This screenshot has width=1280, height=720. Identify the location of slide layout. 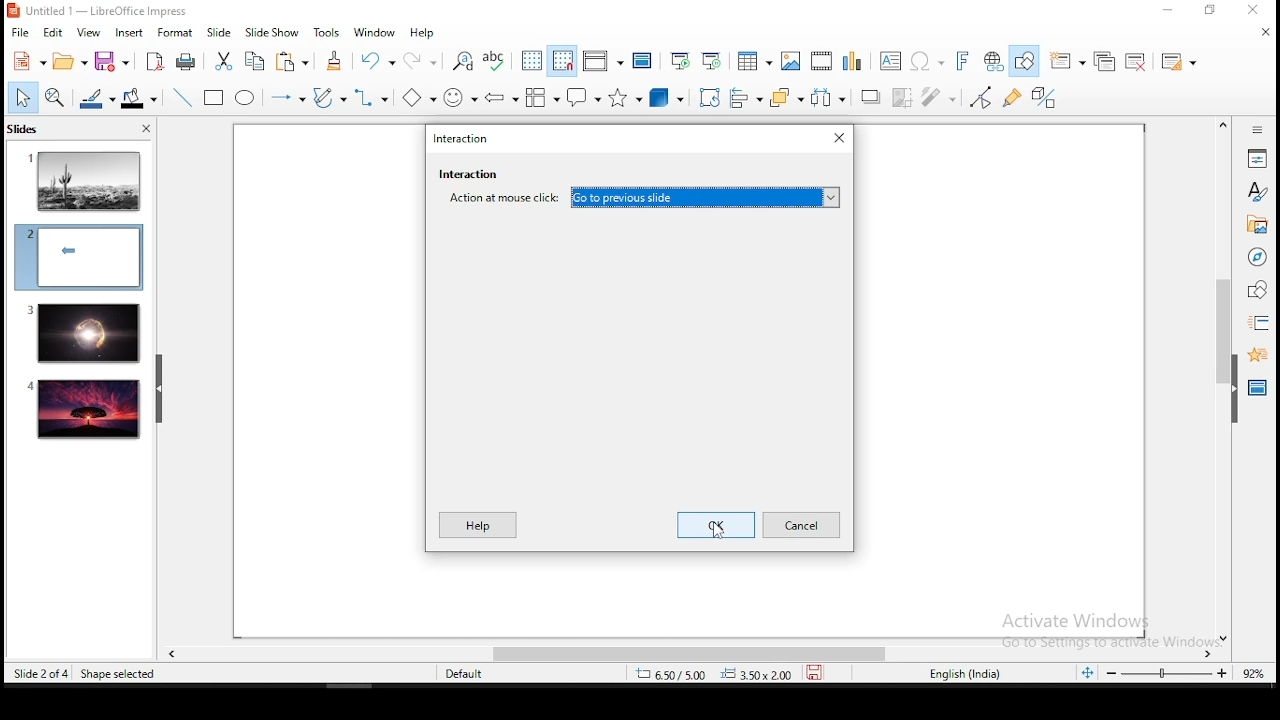
(1176, 62).